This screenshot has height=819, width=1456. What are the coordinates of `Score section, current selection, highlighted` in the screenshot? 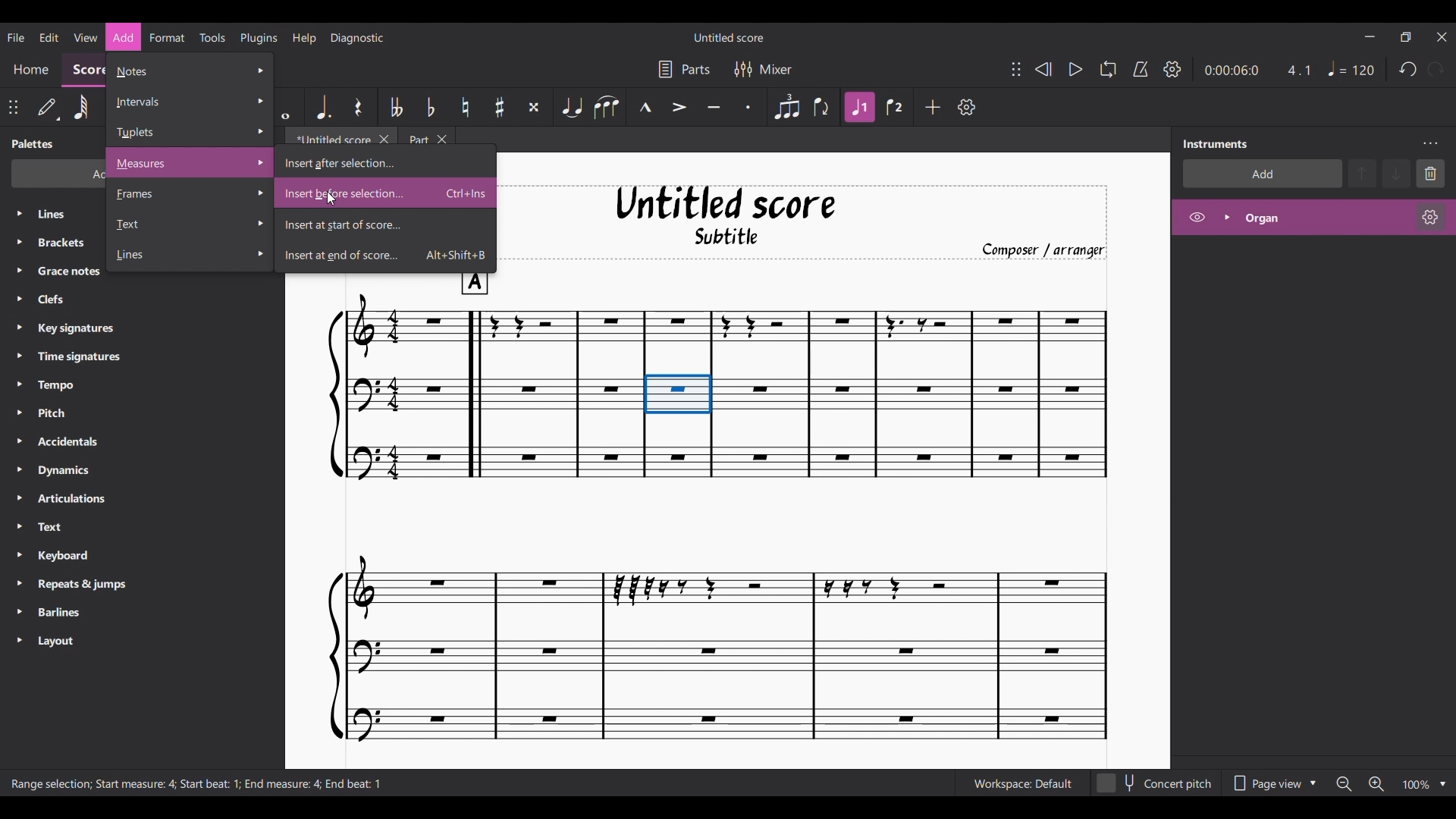 It's located at (81, 69).